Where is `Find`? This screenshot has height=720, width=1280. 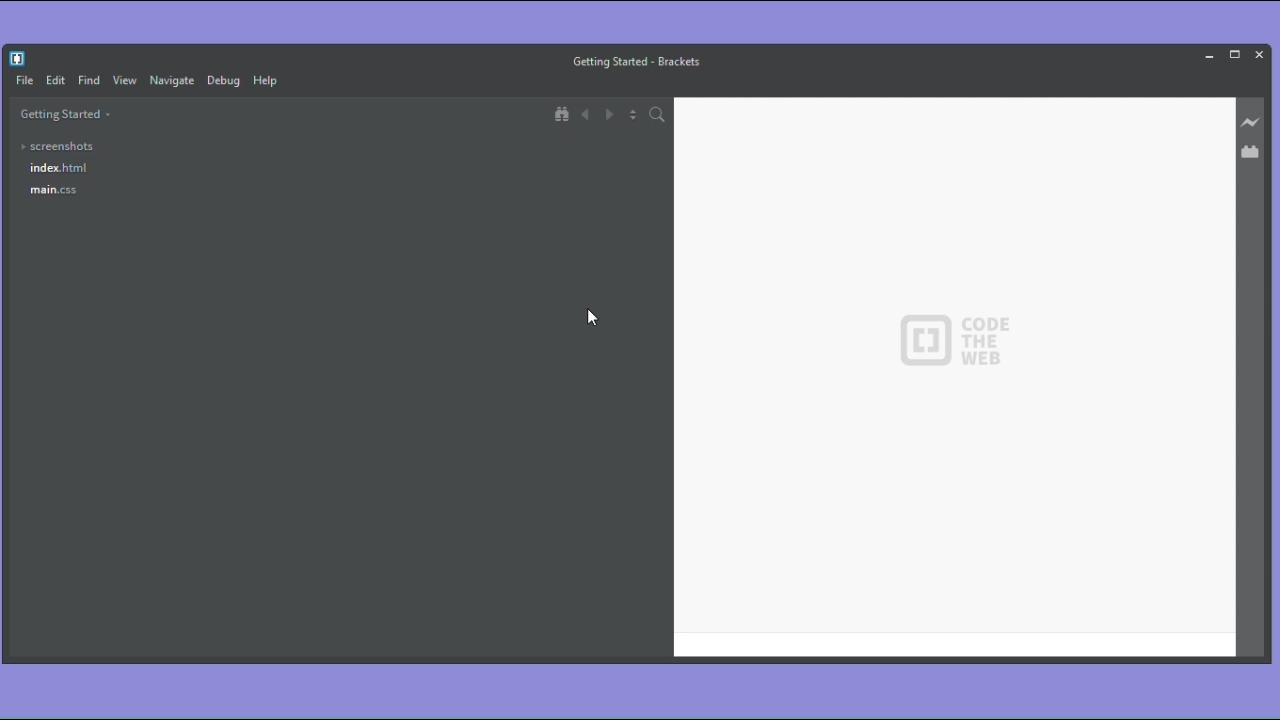 Find is located at coordinates (88, 81).